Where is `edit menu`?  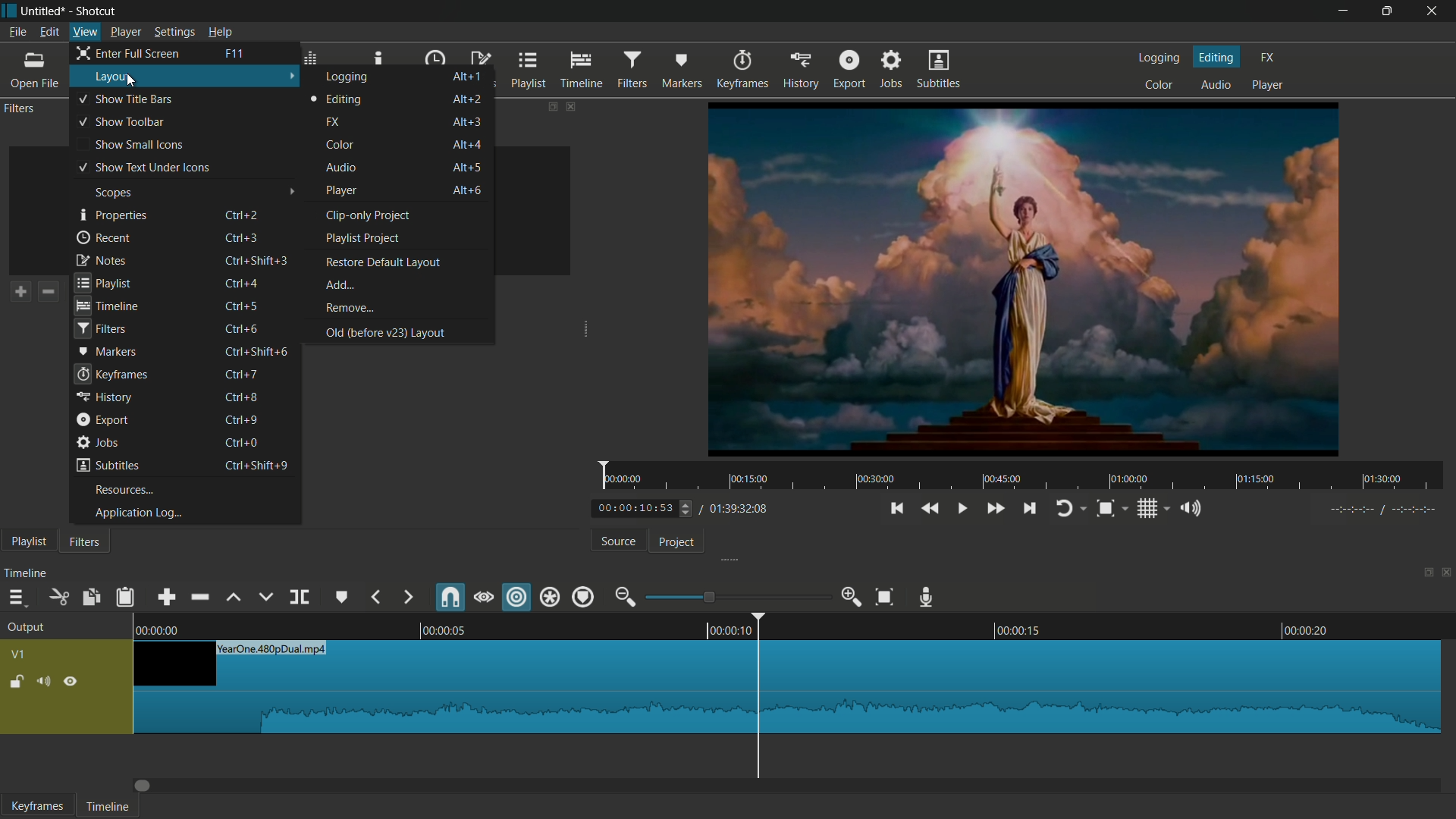
edit menu is located at coordinates (49, 32).